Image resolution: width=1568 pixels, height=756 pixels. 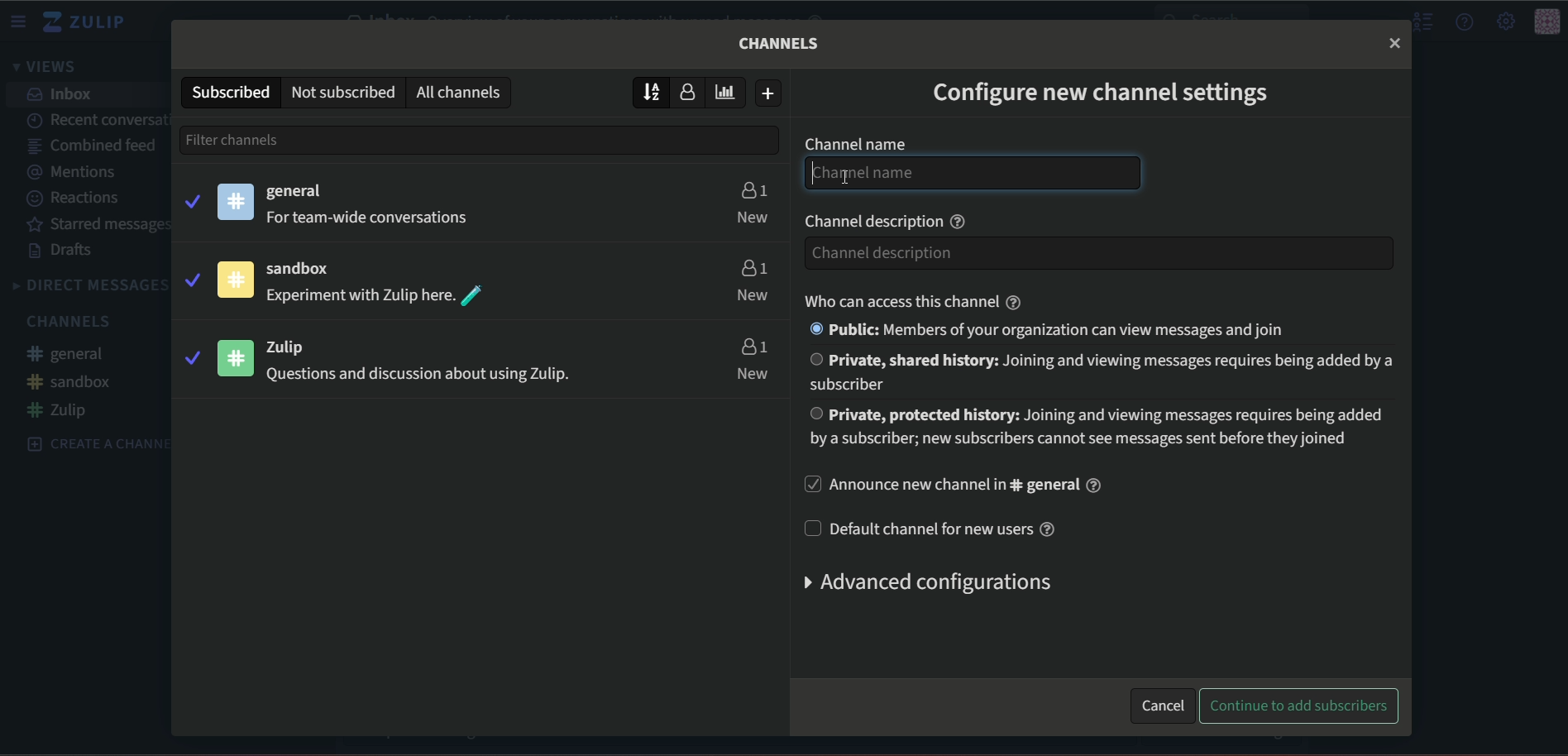 What do you see at coordinates (957, 486) in the screenshot?
I see `Announce a new channel in #general` at bounding box center [957, 486].